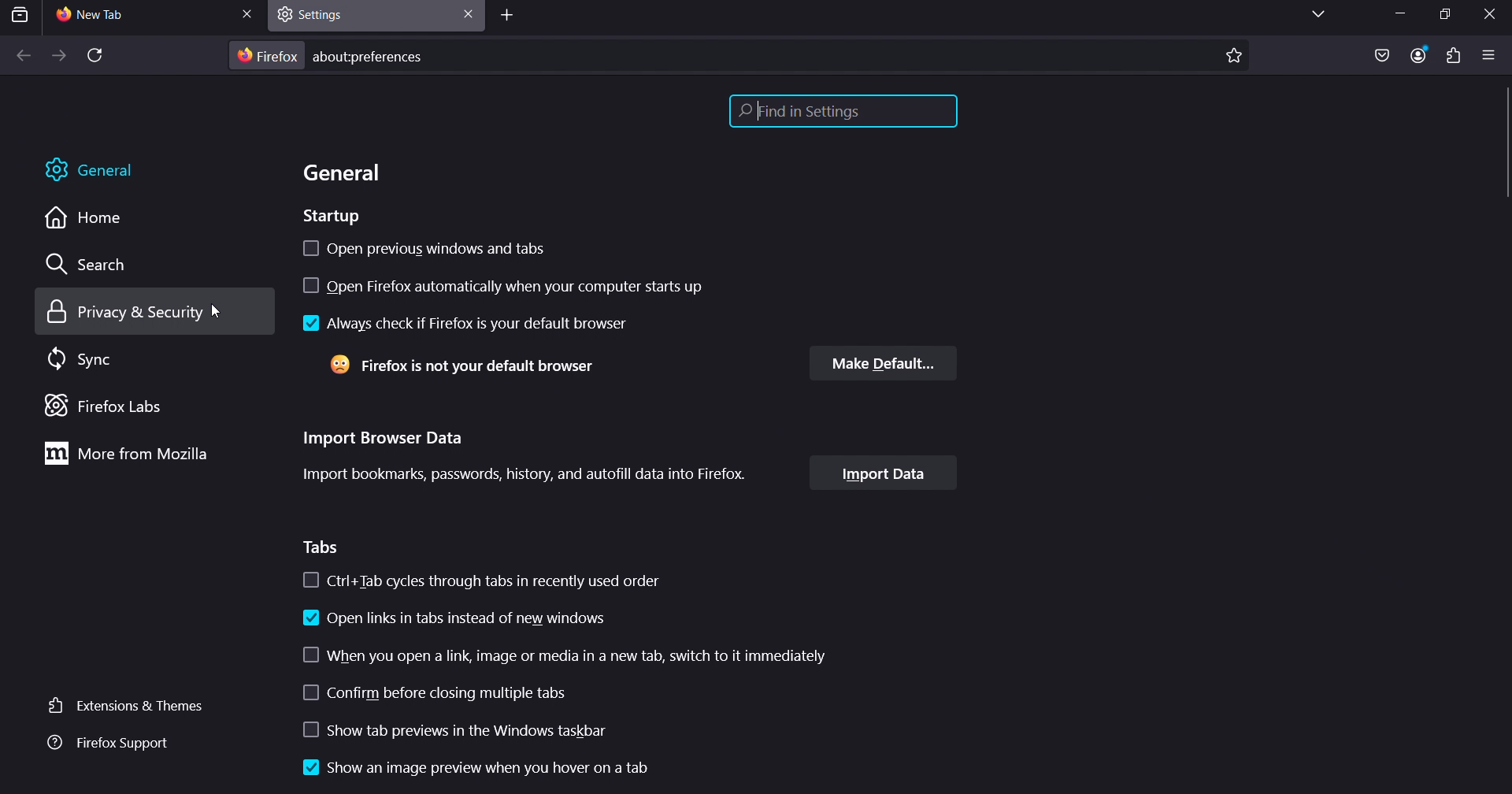  What do you see at coordinates (1451, 56) in the screenshot?
I see `extensions` at bounding box center [1451, 56].